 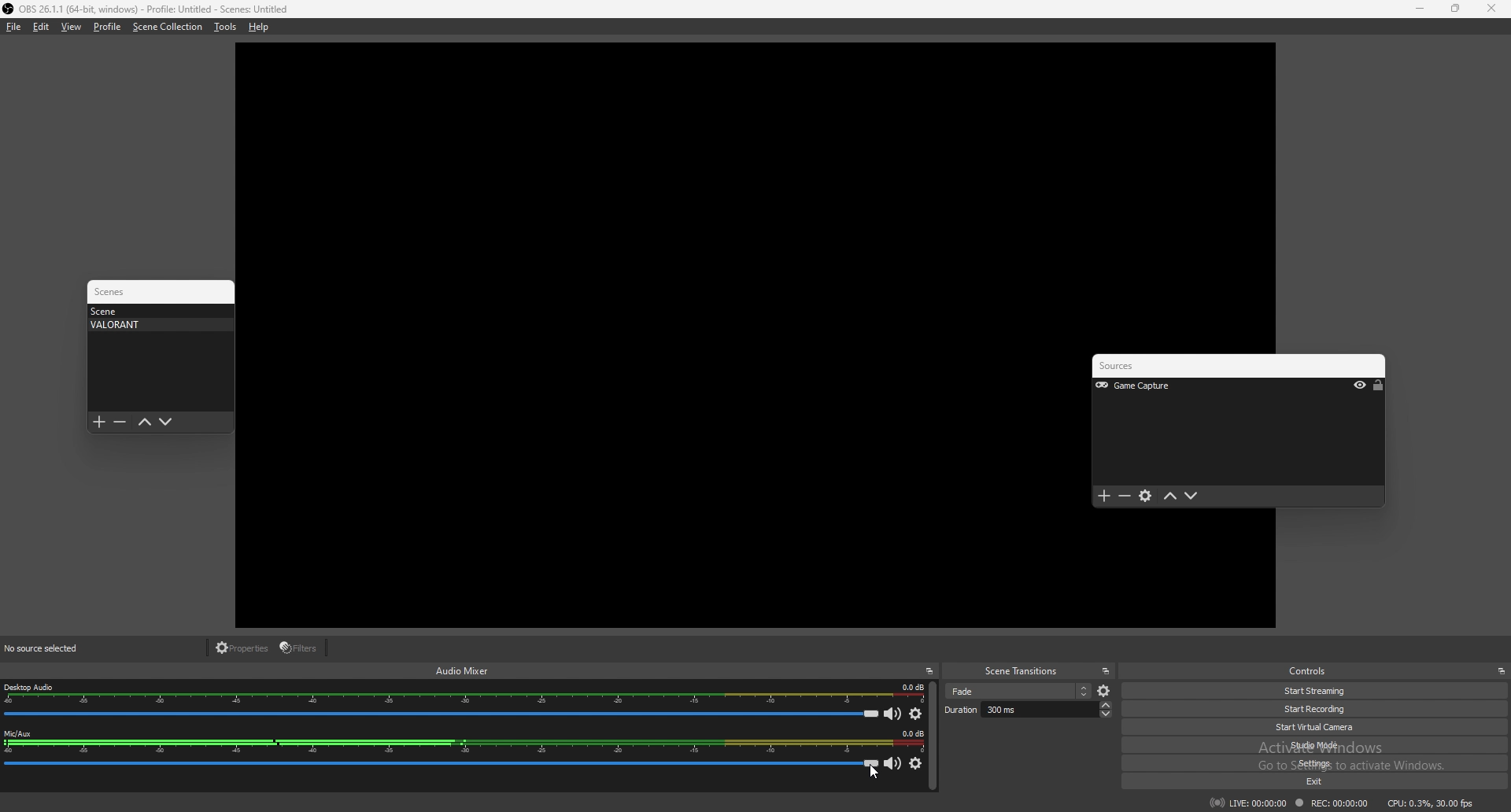 I want to click on start recording, so click(x=1318, y=709).